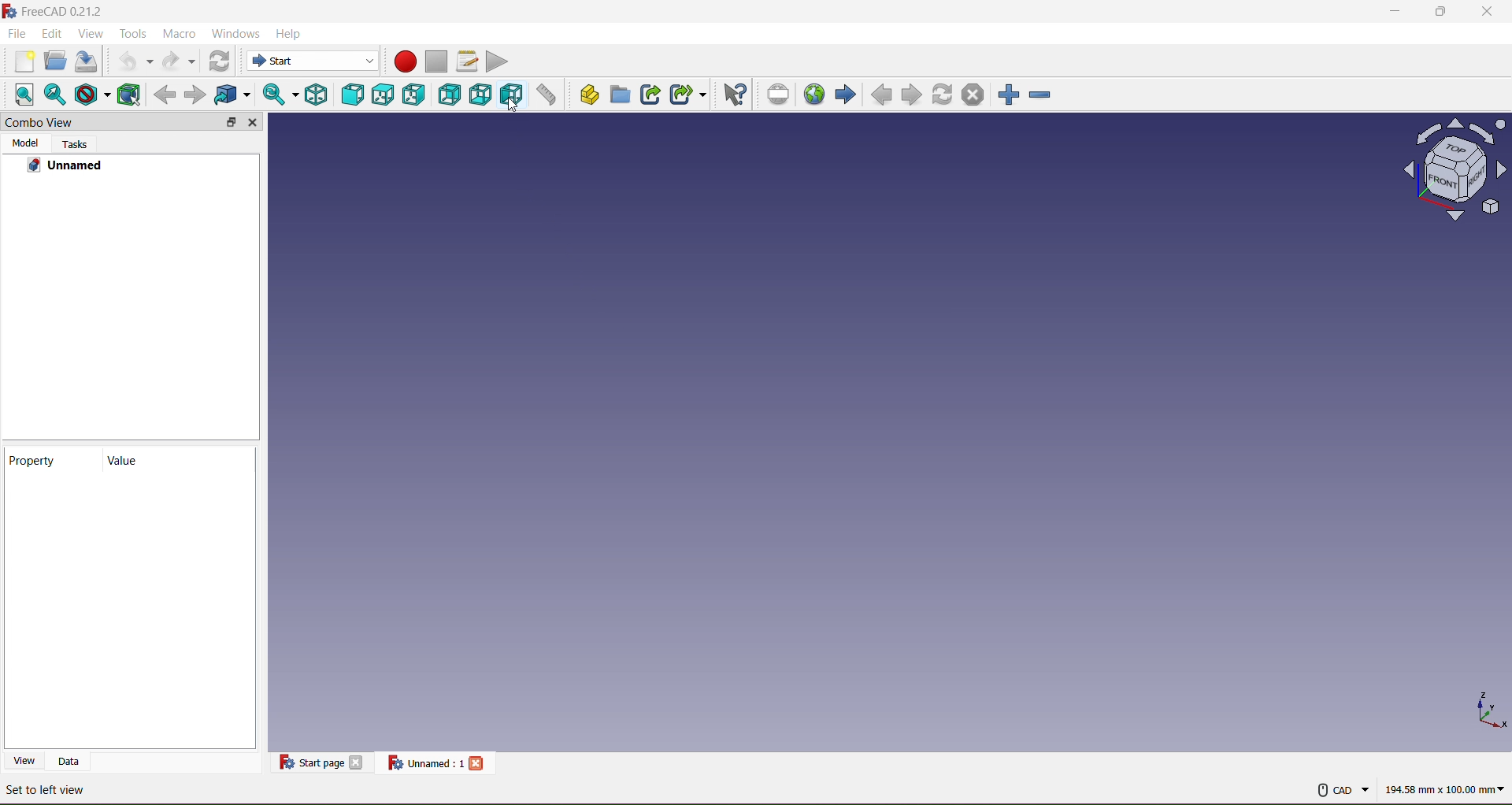 The height and width of the screenshot is (805, 1512). What do you see at coordinates (47, 790) in the screenshot?
I see `Set to left view` at bounding box center [47, 790].